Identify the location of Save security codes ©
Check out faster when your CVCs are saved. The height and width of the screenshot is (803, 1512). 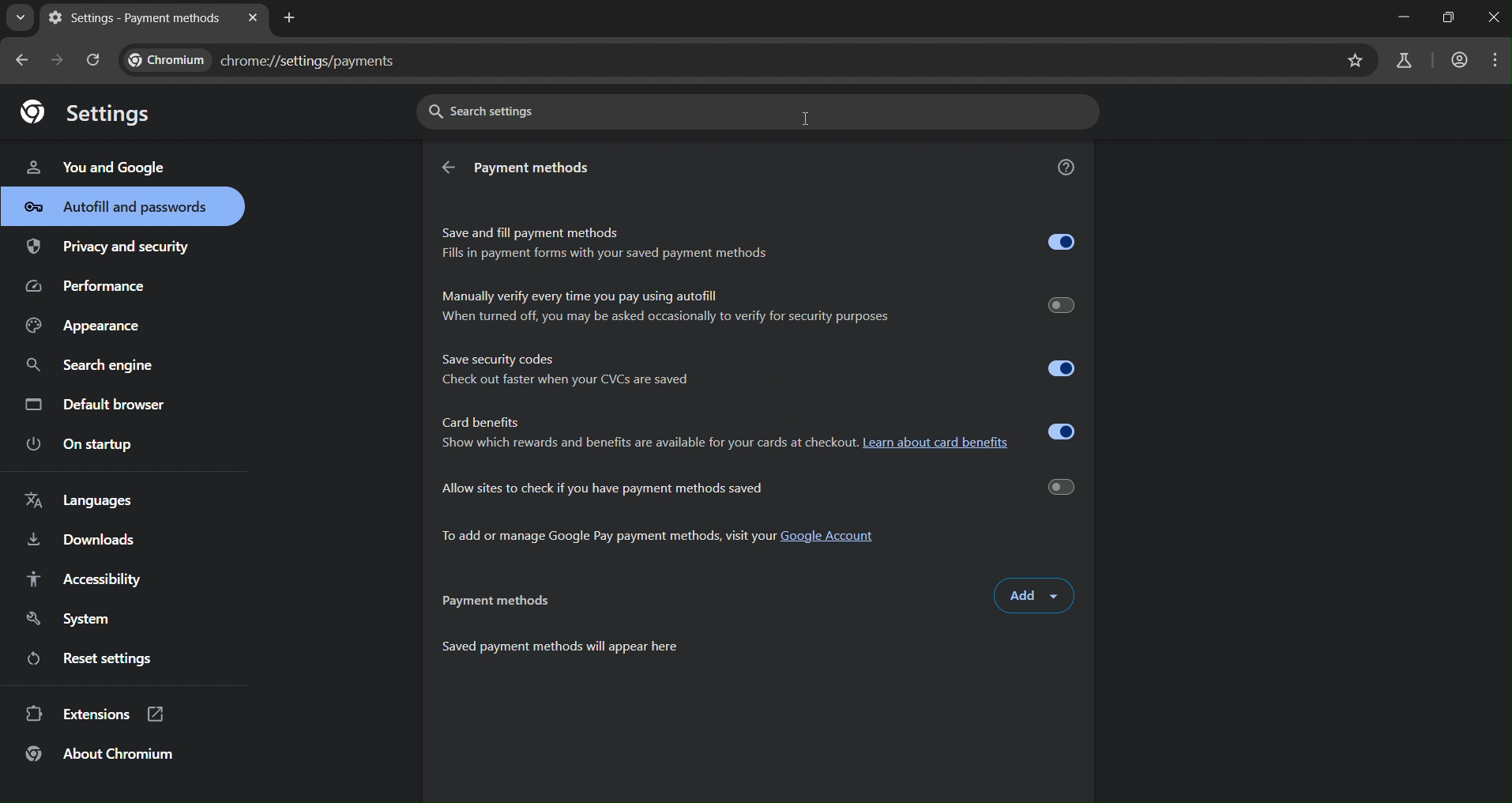
(759, 366).